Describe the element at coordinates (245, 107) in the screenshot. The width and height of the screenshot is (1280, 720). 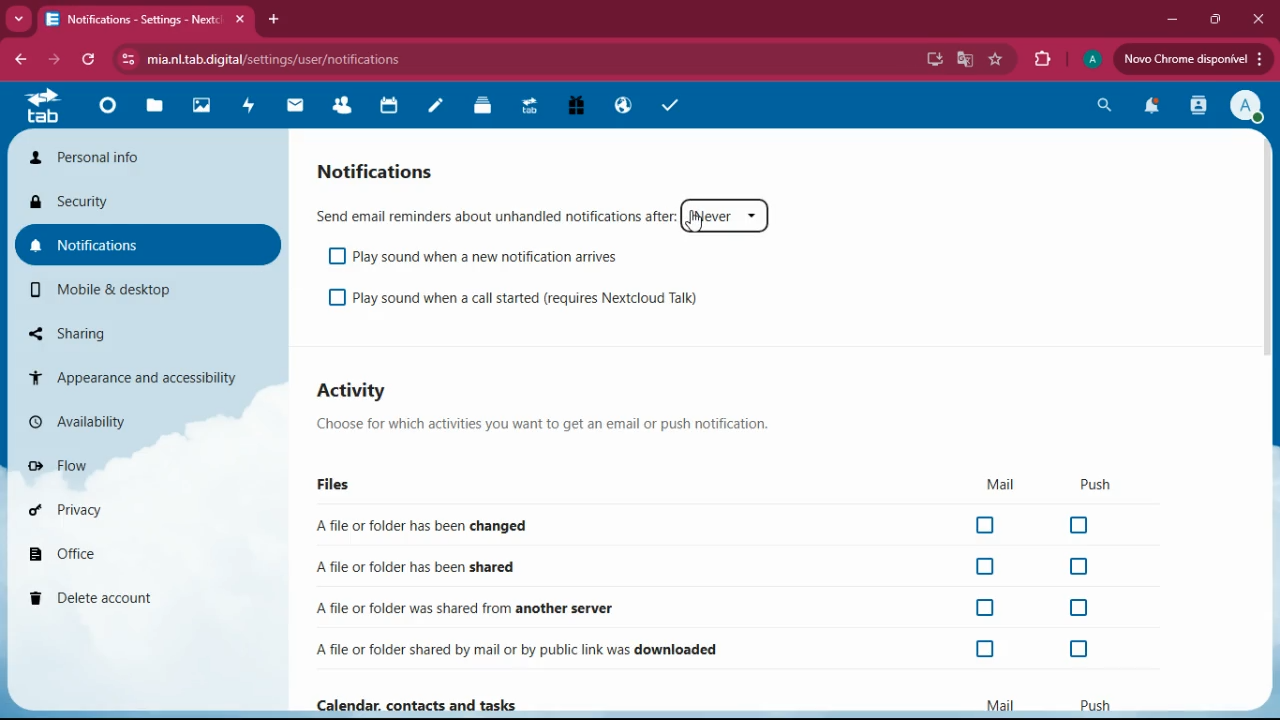
I see `activity` at that location.